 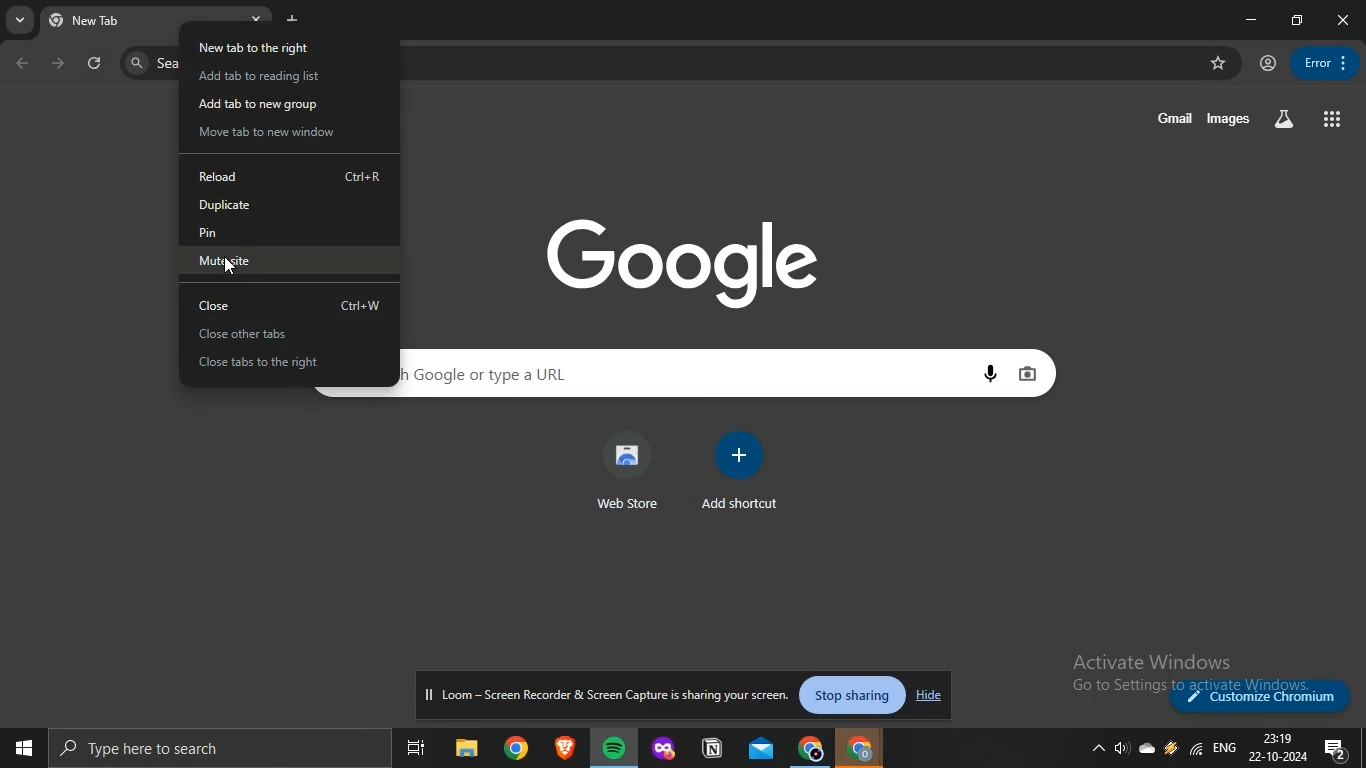 What do you see at coordinates (926, 697) in the screenshot?
I see ` Hide` at bounding box center [926, 697].